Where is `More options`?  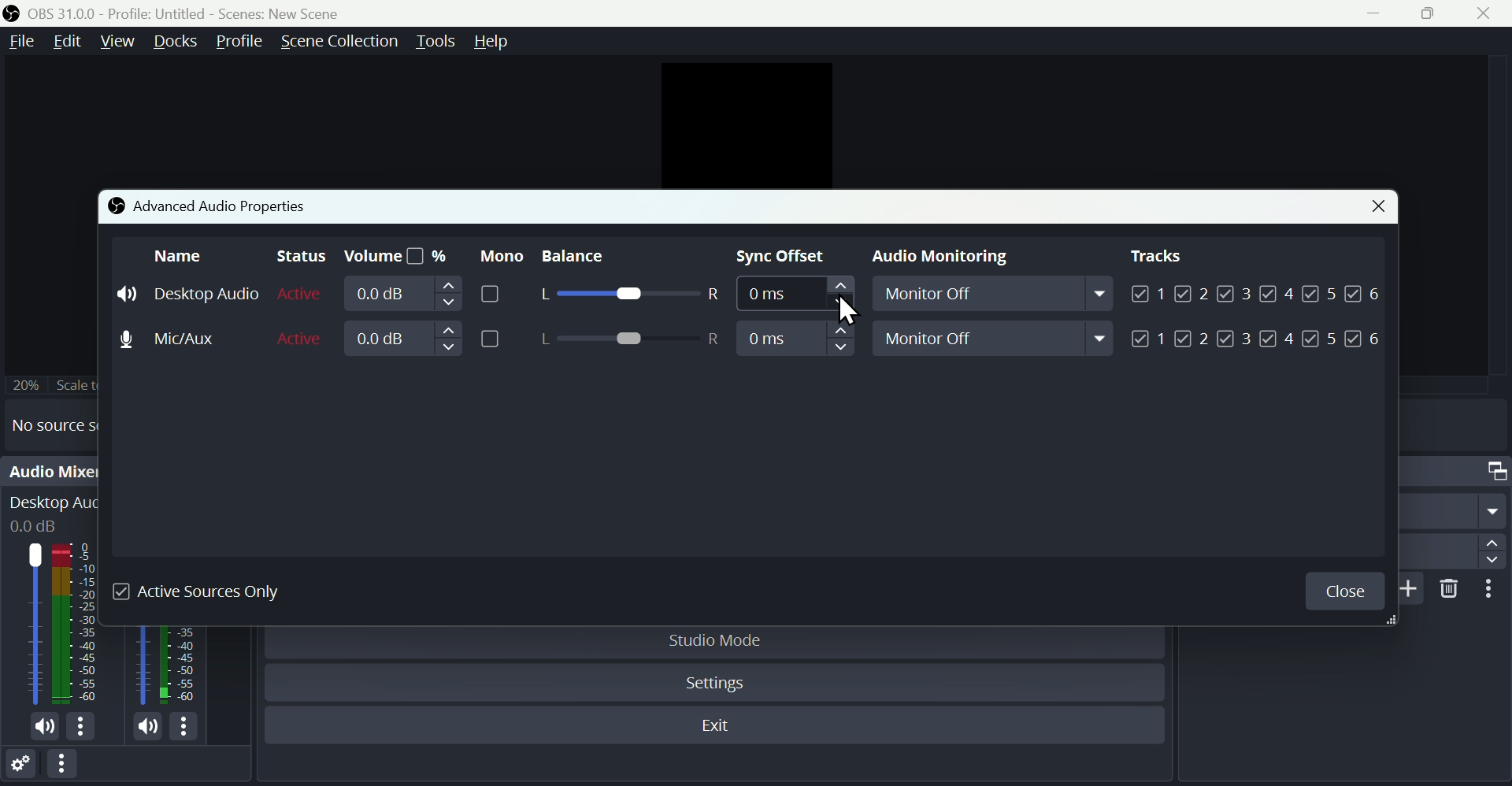 More options is located at coordinates (187, 729).